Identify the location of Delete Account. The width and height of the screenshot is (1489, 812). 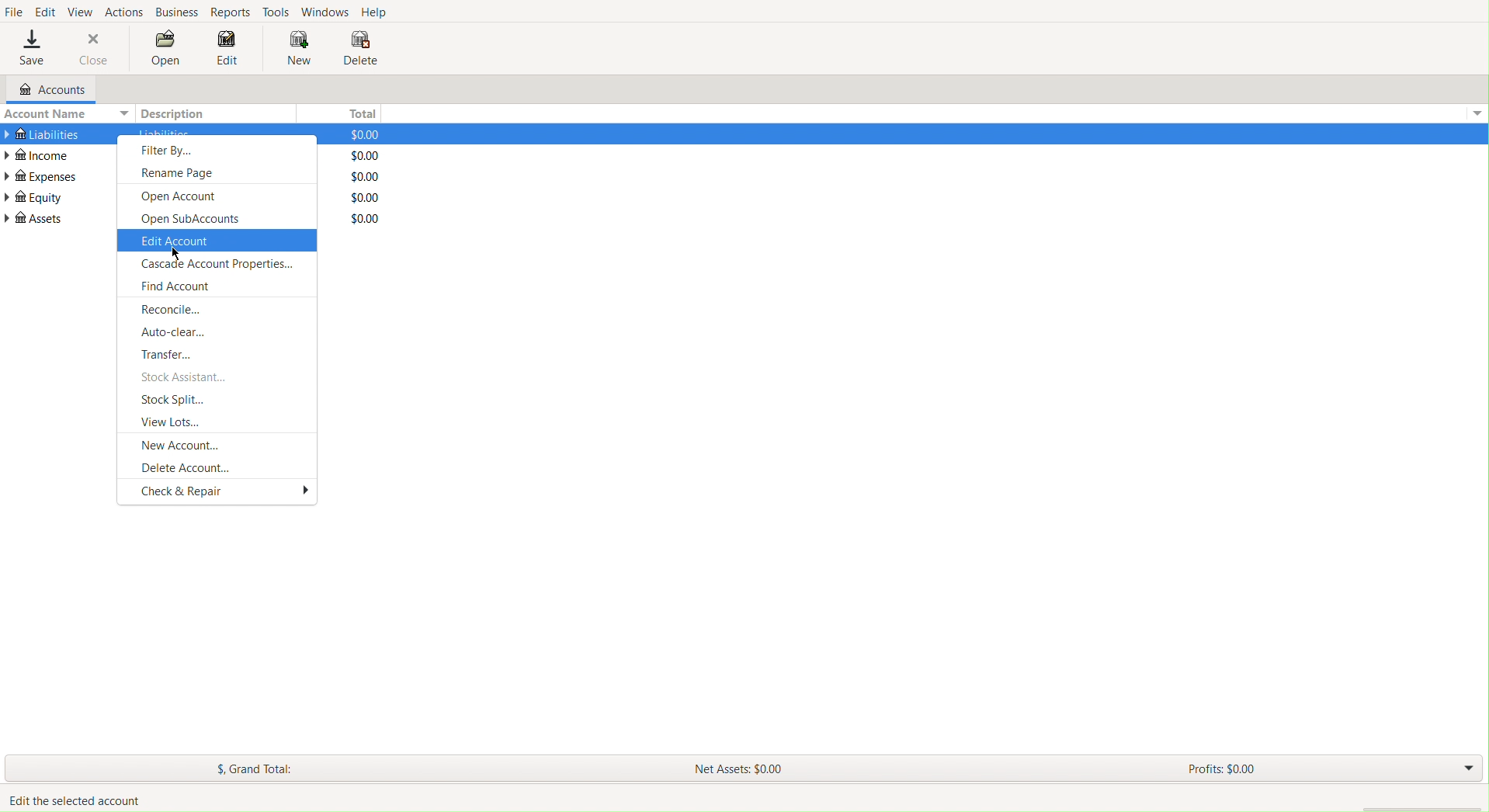
(187, 467).